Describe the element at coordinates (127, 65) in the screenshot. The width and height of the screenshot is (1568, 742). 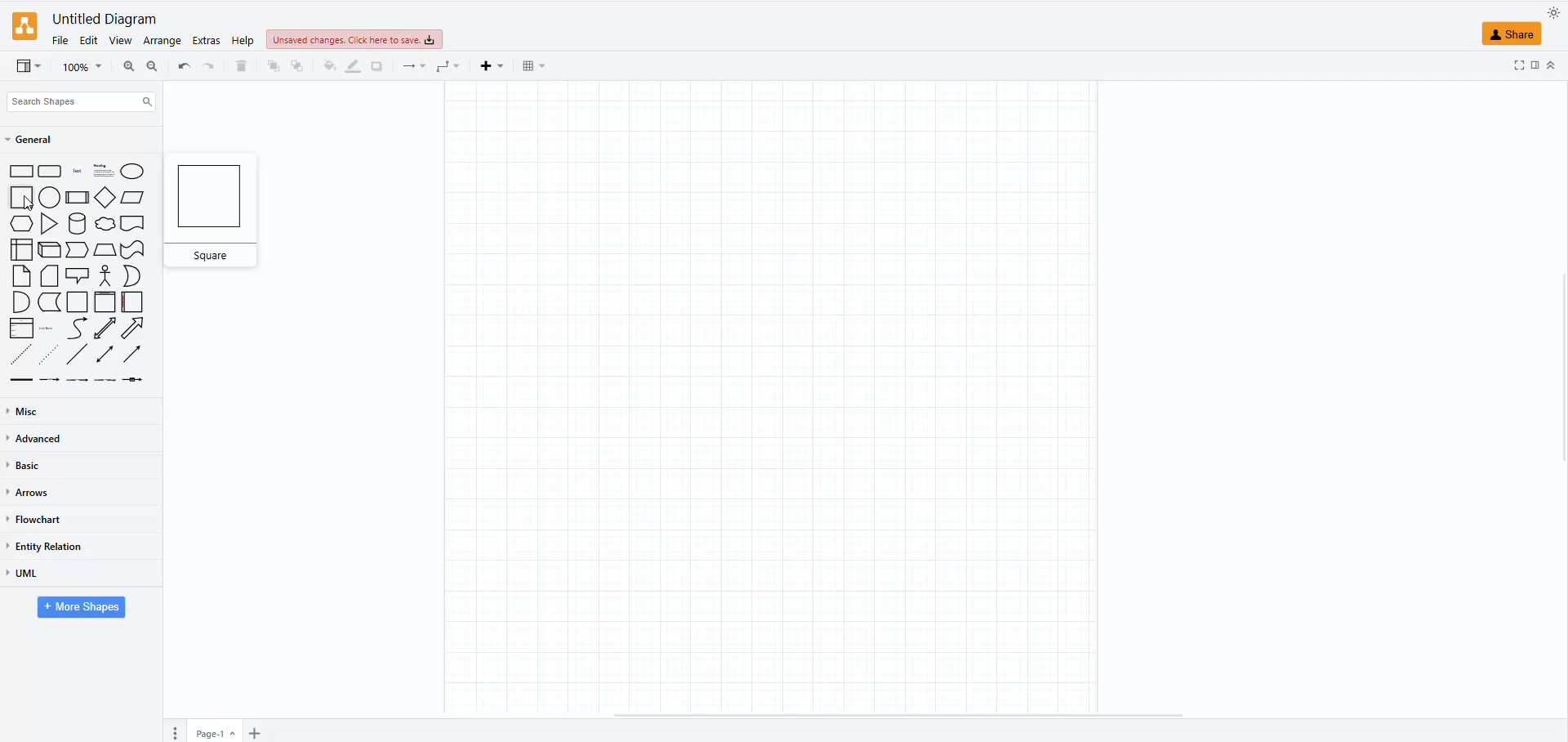
I see `zoom in ` at that location.